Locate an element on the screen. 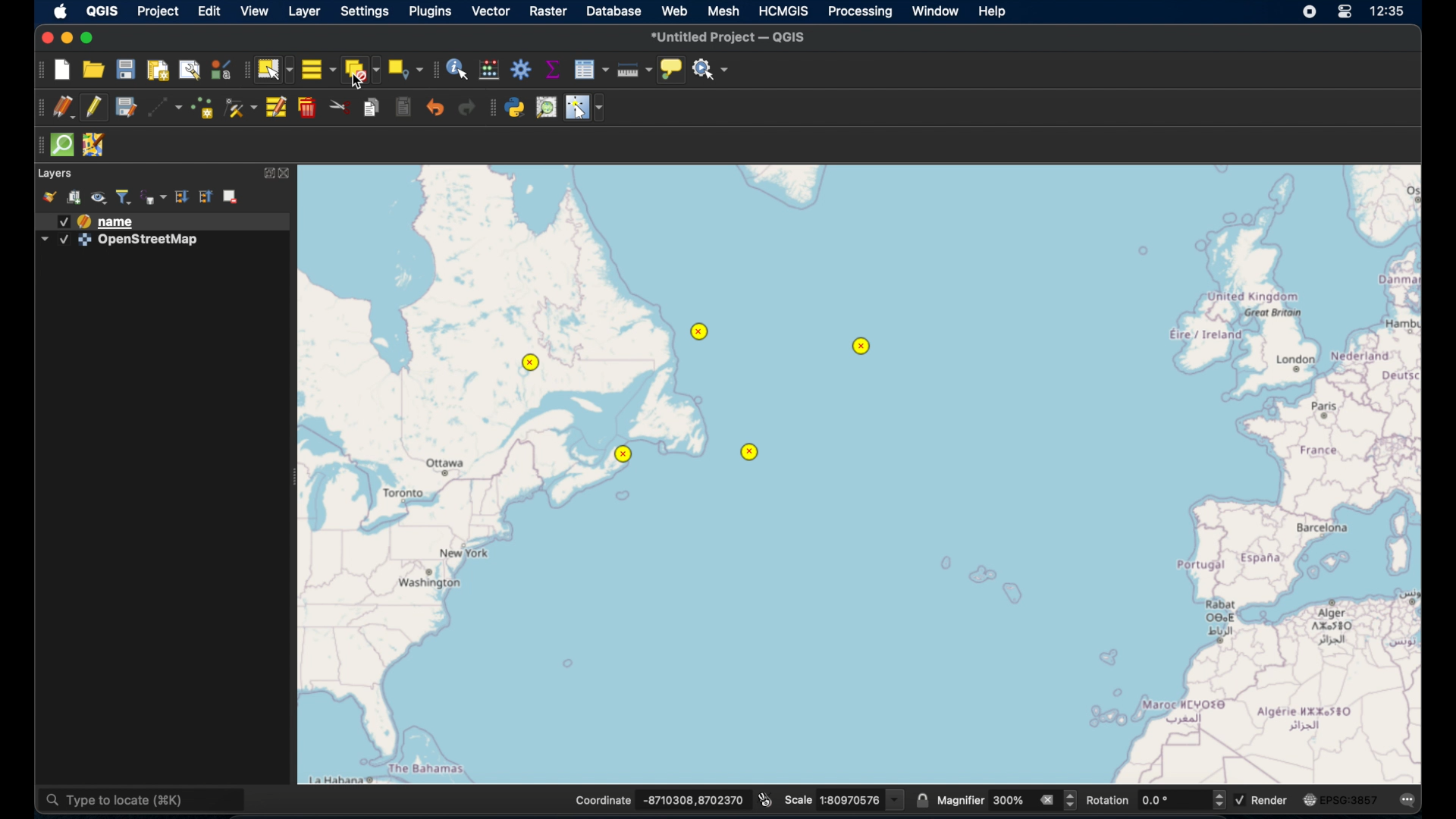 Image resolution: width=1456 pixels, height=819 pixels. render is located at coordinates (1271, 799).